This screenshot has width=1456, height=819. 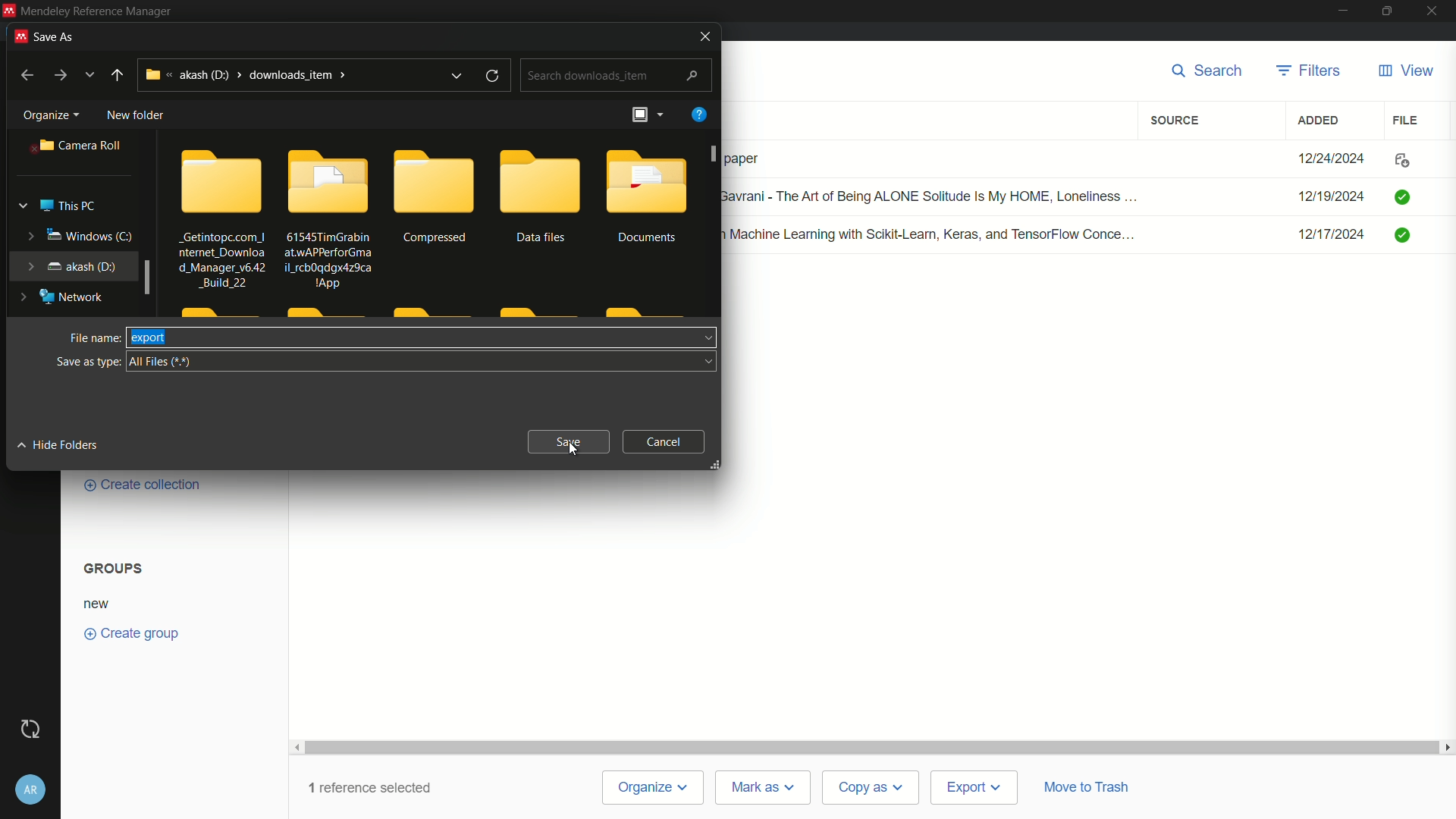 I want to click on scrollbar, so click(x=873, y=747).